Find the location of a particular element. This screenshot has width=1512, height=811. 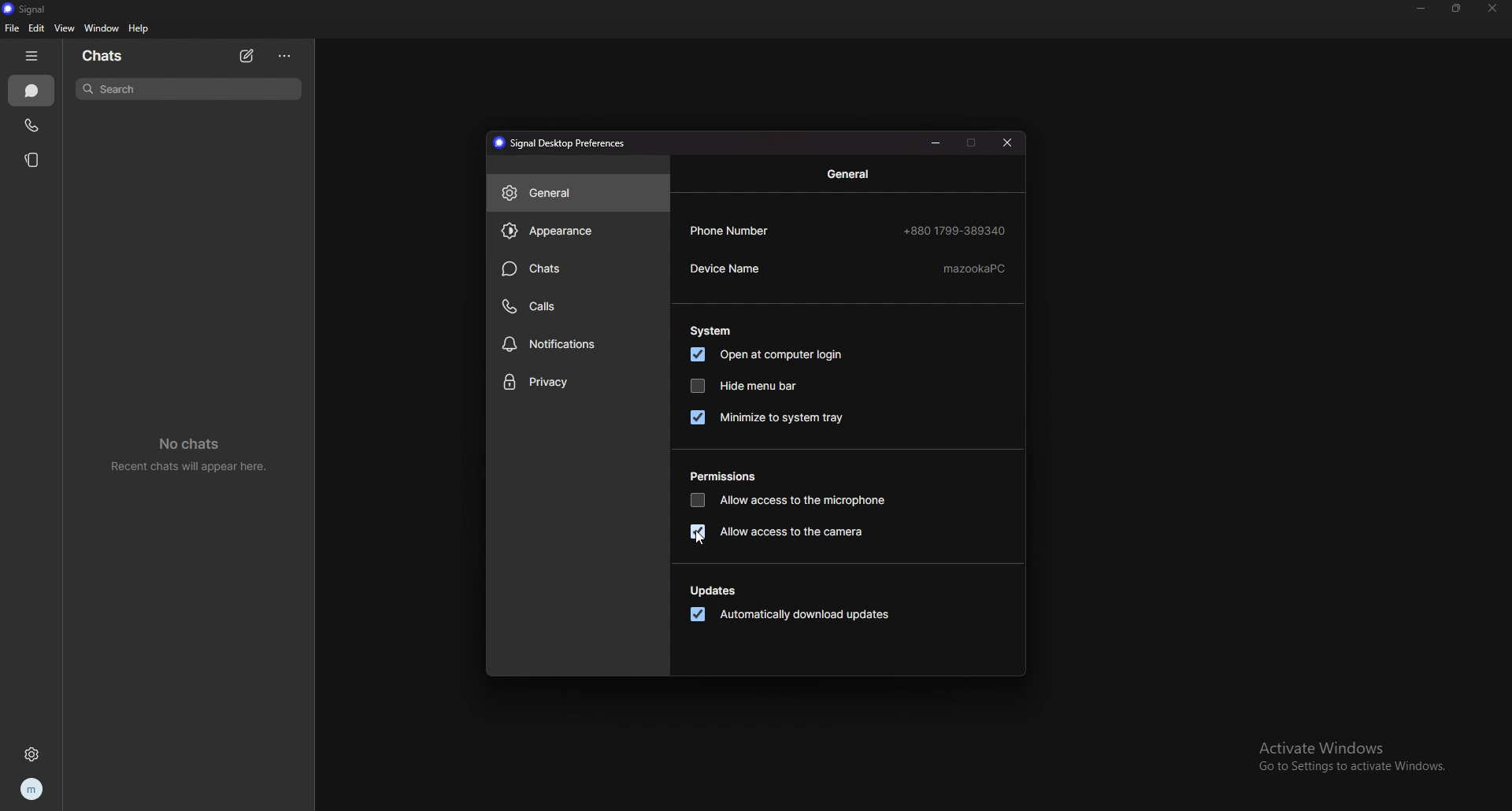

hide menu bar is located at coordinates (743, 385).